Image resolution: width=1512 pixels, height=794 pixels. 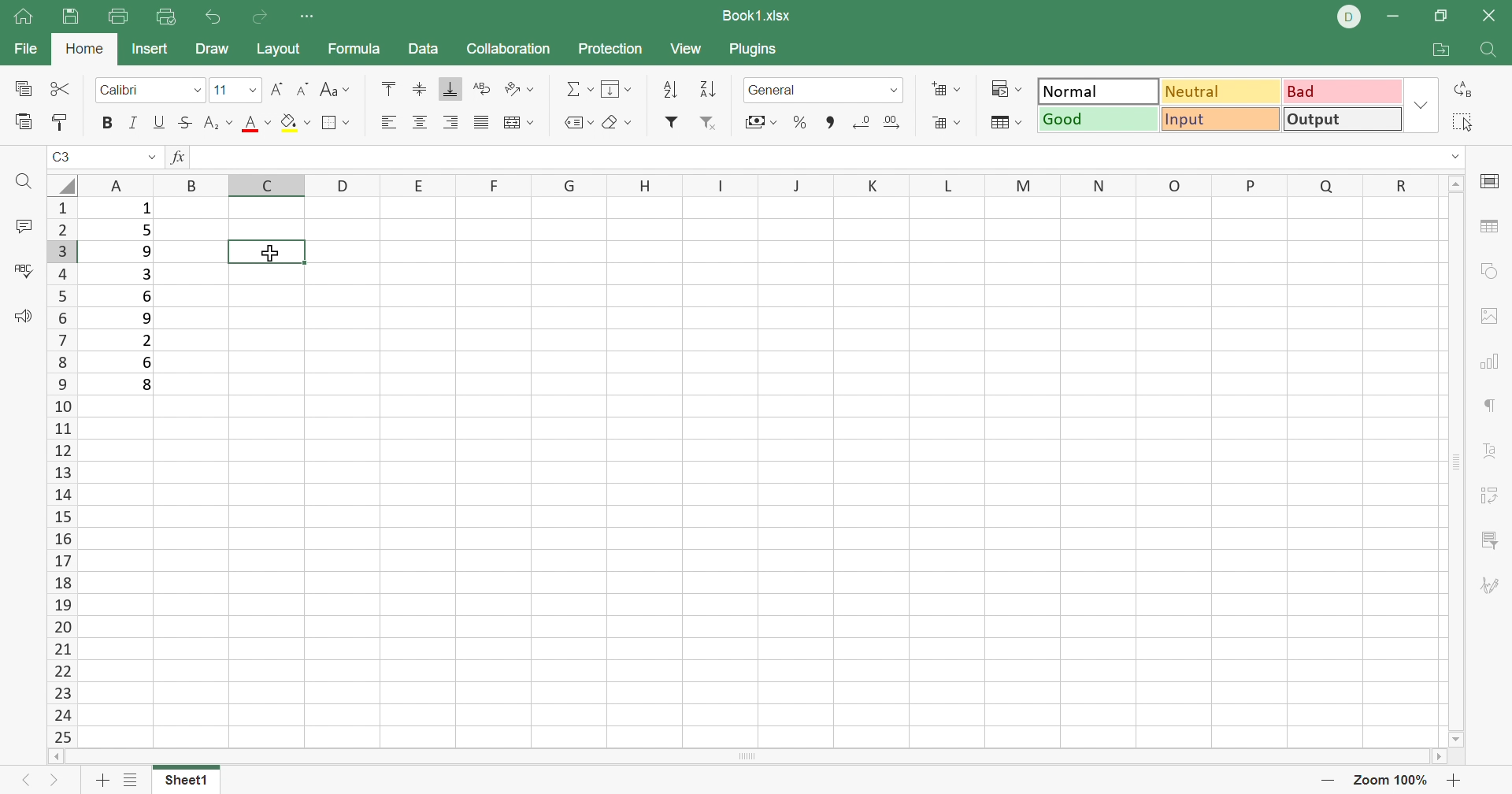 What do you see at coordinates (1462, 123) in the screenshot?
I see `Select all` at bounding box center [1462, 123].